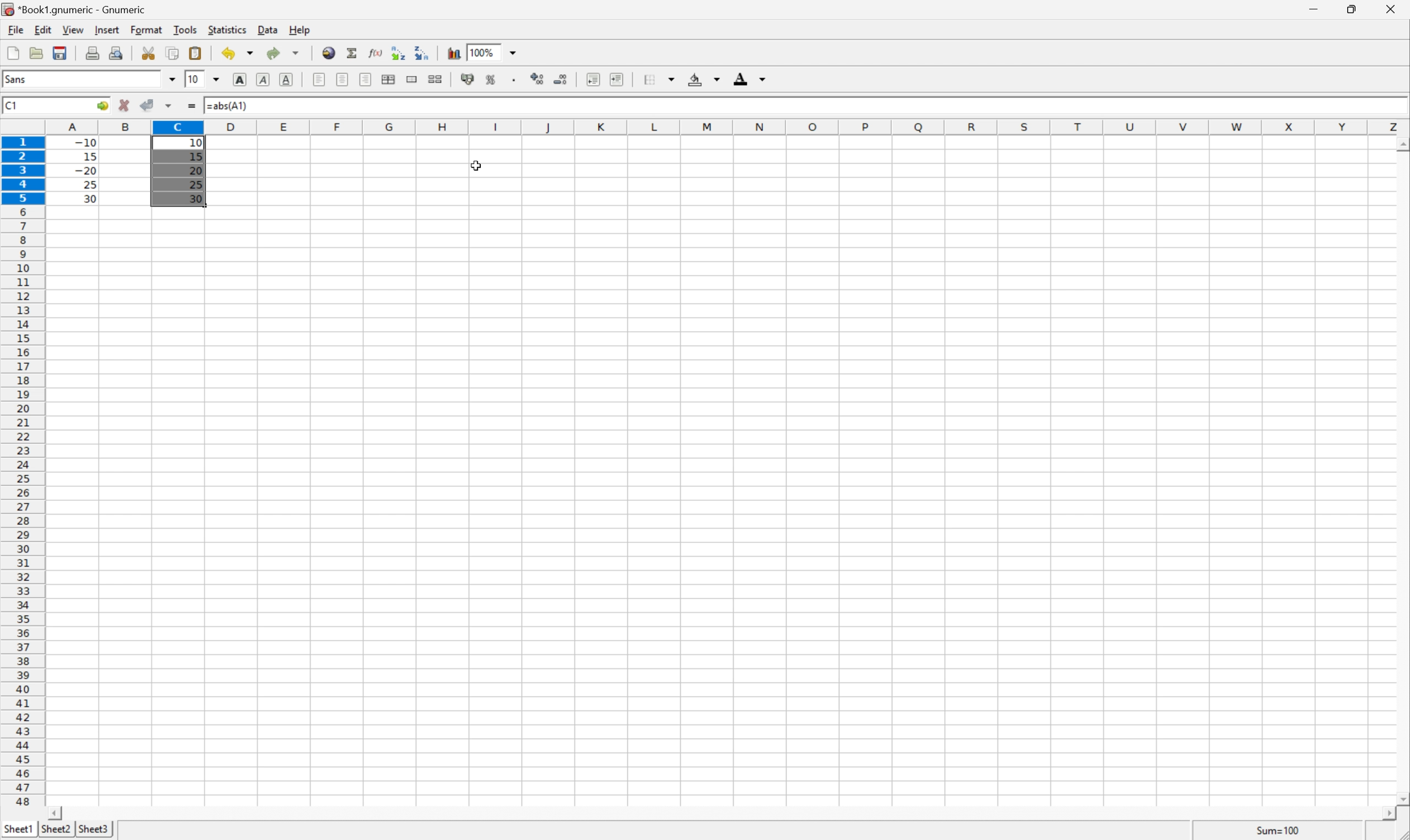 The image size is (1410, 840). I want to click on Accept change, so click(148, 105).